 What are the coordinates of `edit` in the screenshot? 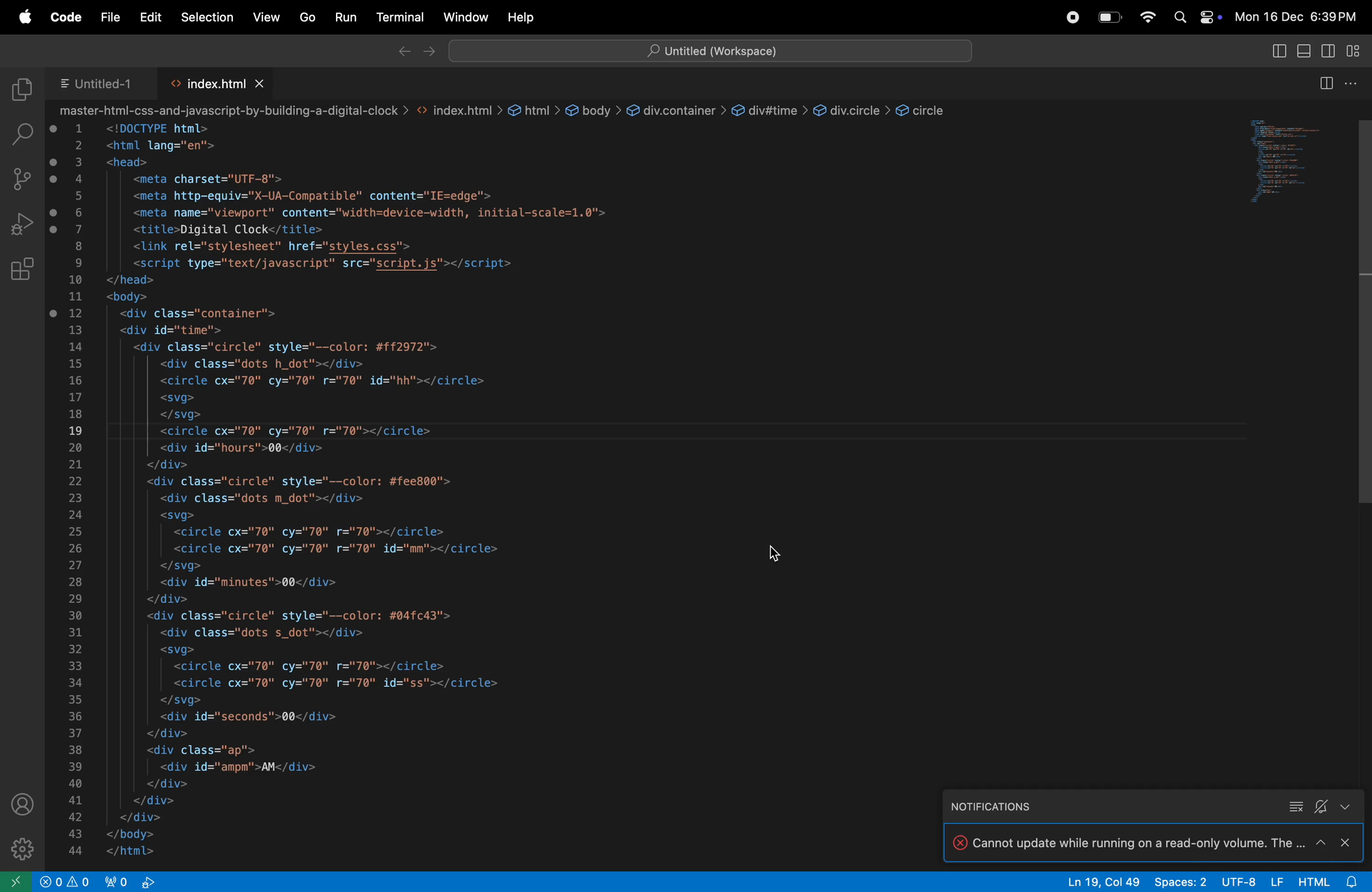 It's located at (153, 17).